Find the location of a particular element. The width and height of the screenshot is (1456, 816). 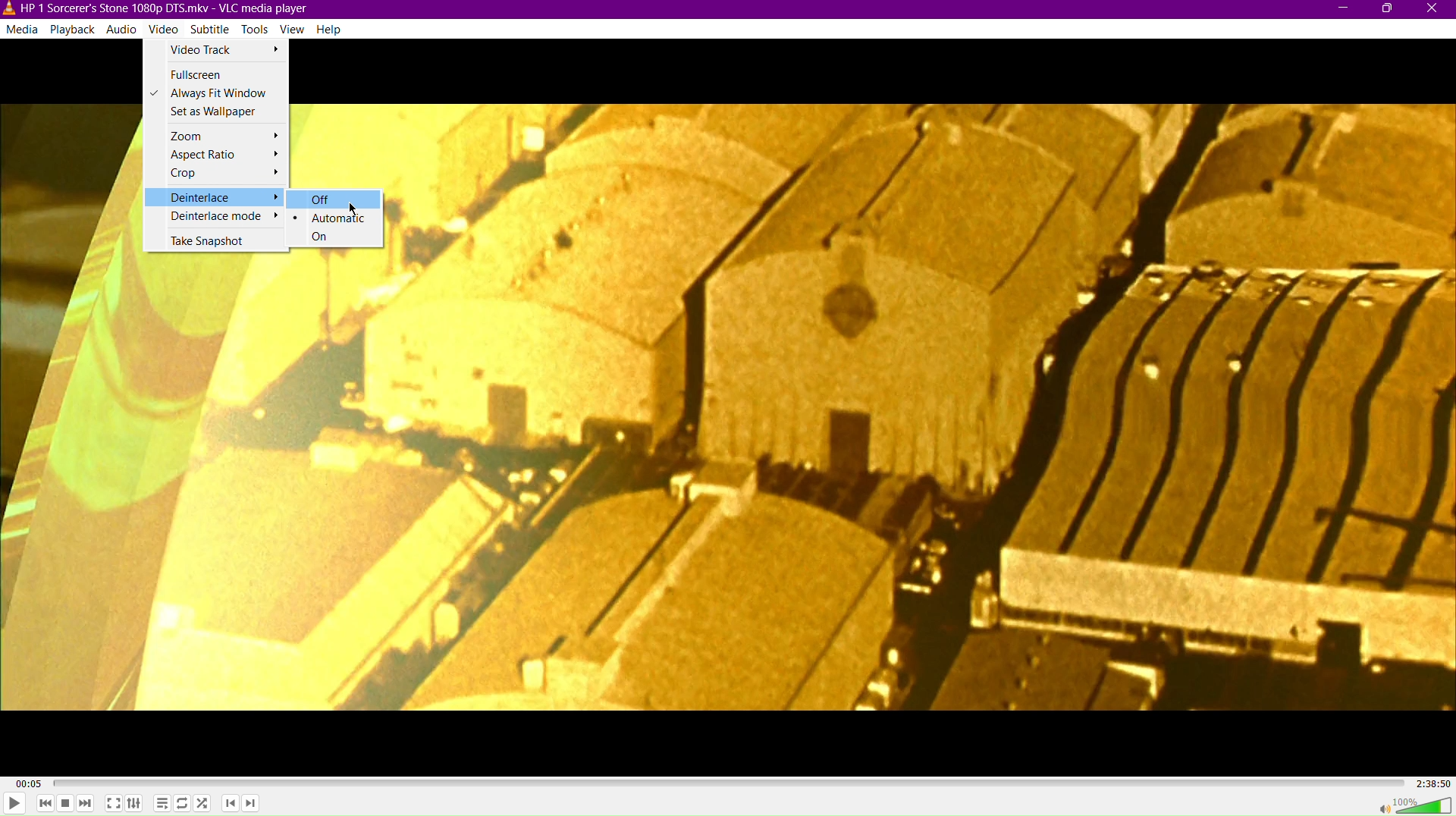

Minimize is located at coordinates (1346, 9).